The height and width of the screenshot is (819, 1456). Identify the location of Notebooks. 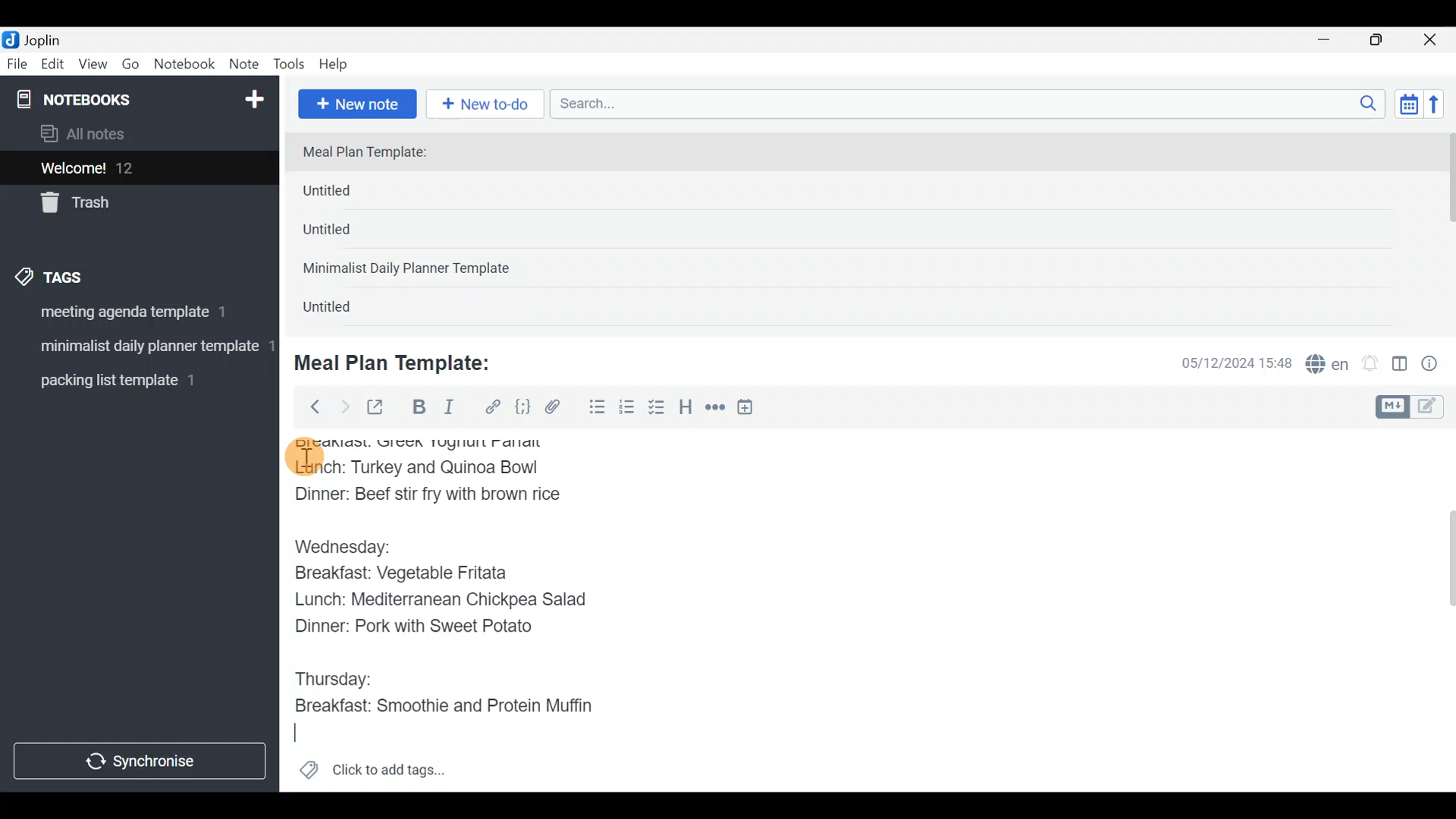
(107, 99).